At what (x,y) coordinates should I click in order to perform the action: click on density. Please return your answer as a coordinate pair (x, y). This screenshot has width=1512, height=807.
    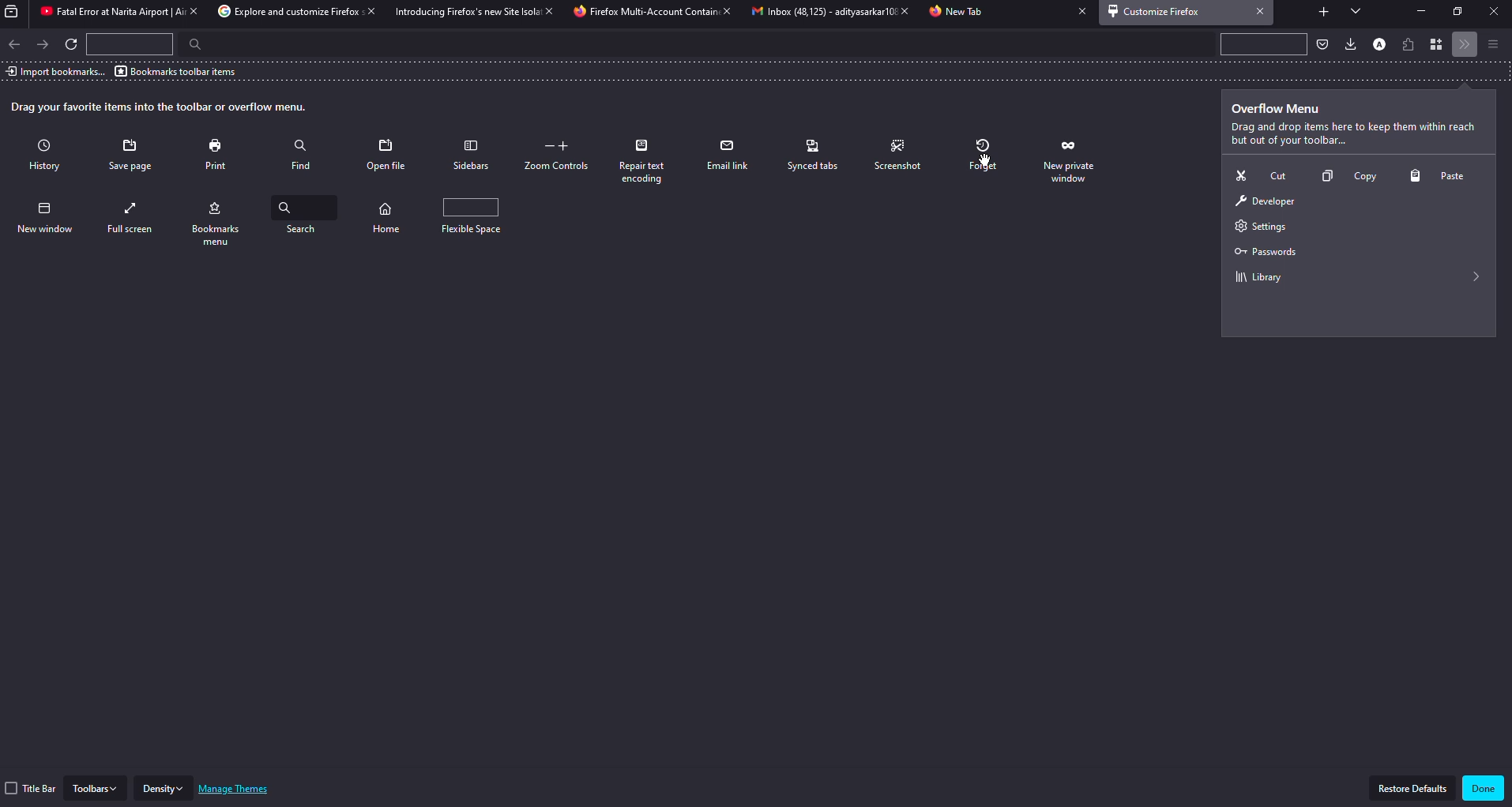
    Looking at the image, I should click on (164, 788).